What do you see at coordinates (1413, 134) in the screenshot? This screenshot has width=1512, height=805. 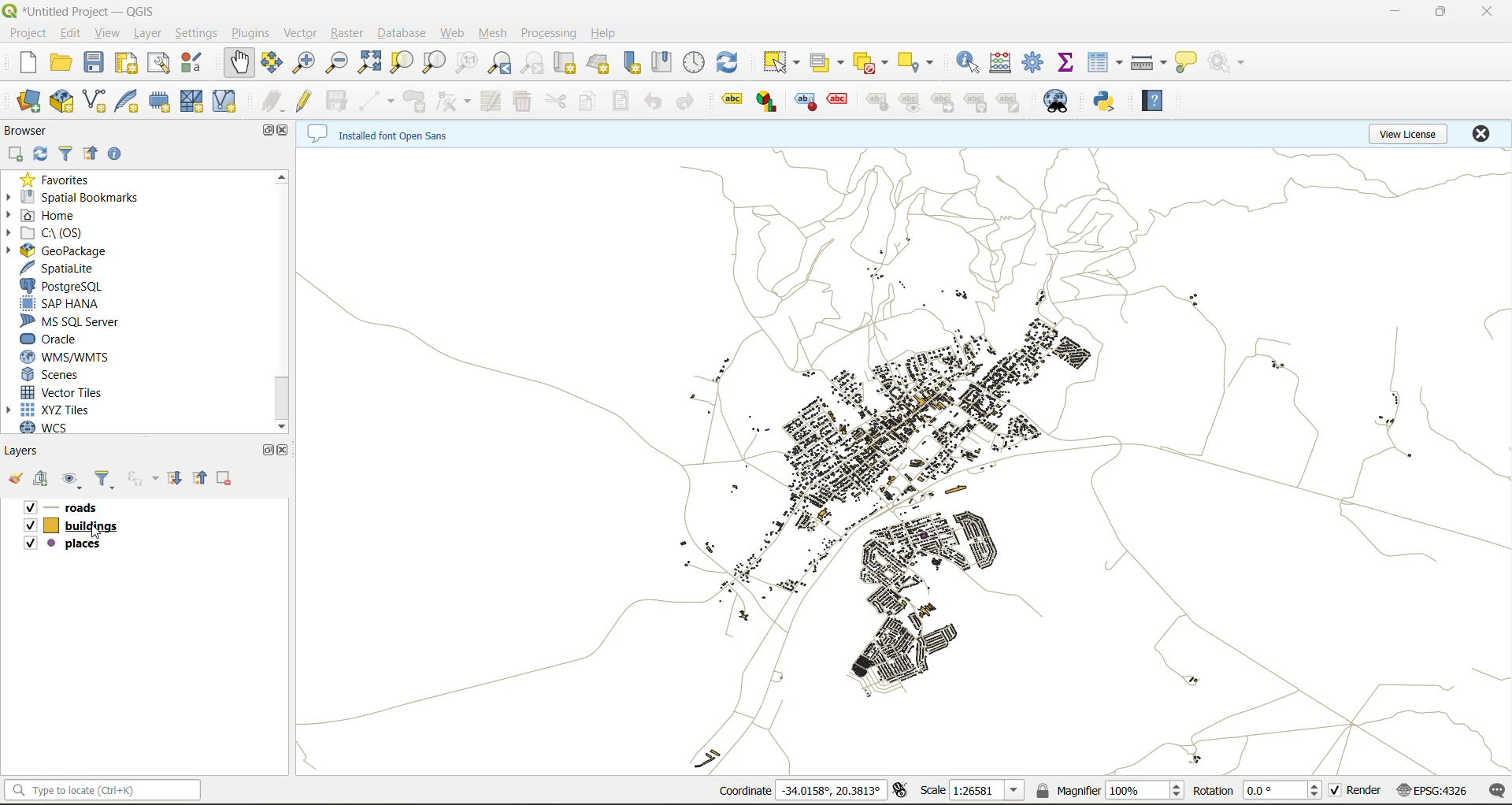 I see `view license` at bounding box center [1413, 134].